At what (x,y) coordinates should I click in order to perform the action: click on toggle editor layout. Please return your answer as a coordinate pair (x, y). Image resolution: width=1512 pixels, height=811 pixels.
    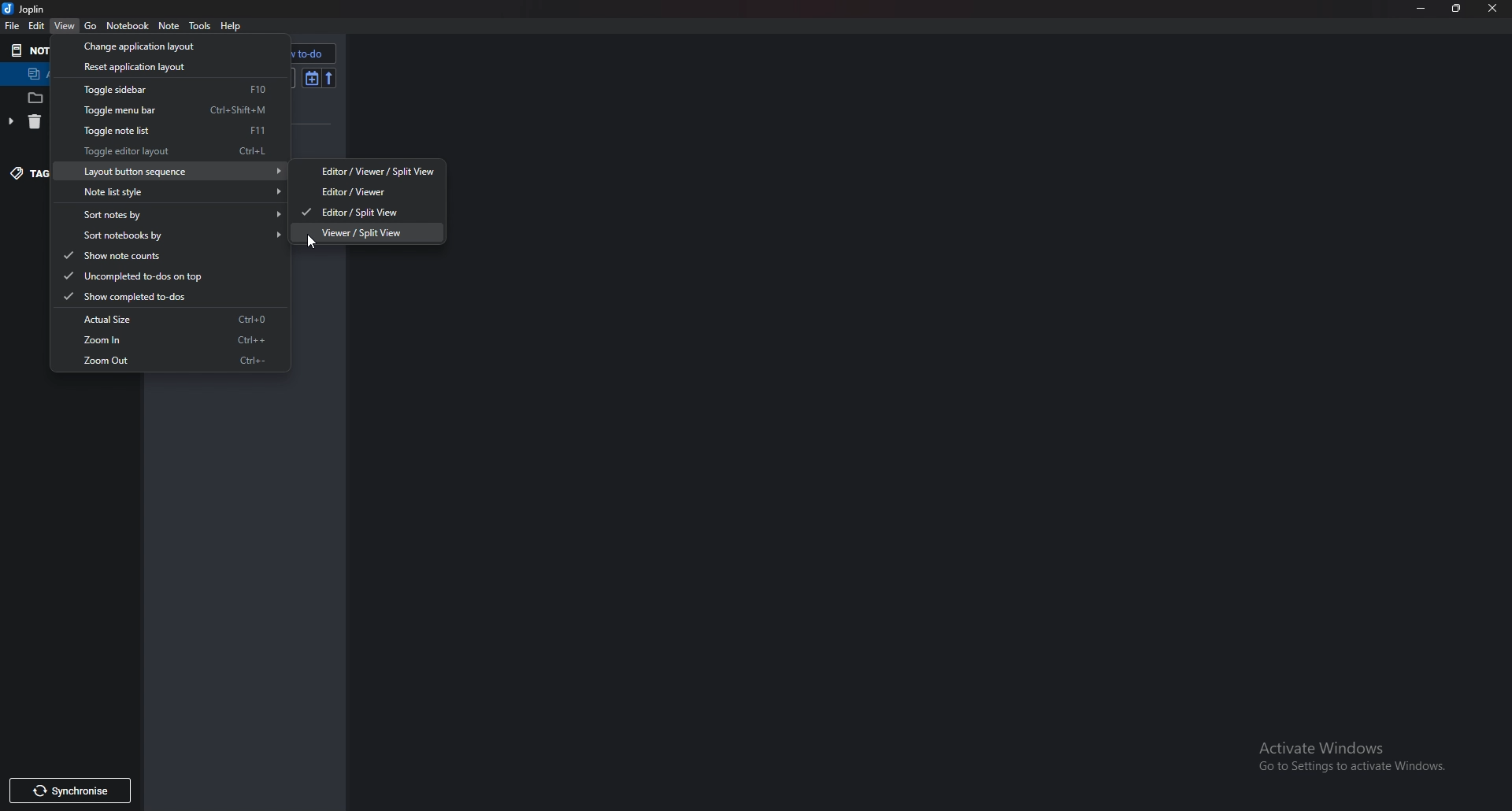
    Looking at the image, I should click on (169, 151).